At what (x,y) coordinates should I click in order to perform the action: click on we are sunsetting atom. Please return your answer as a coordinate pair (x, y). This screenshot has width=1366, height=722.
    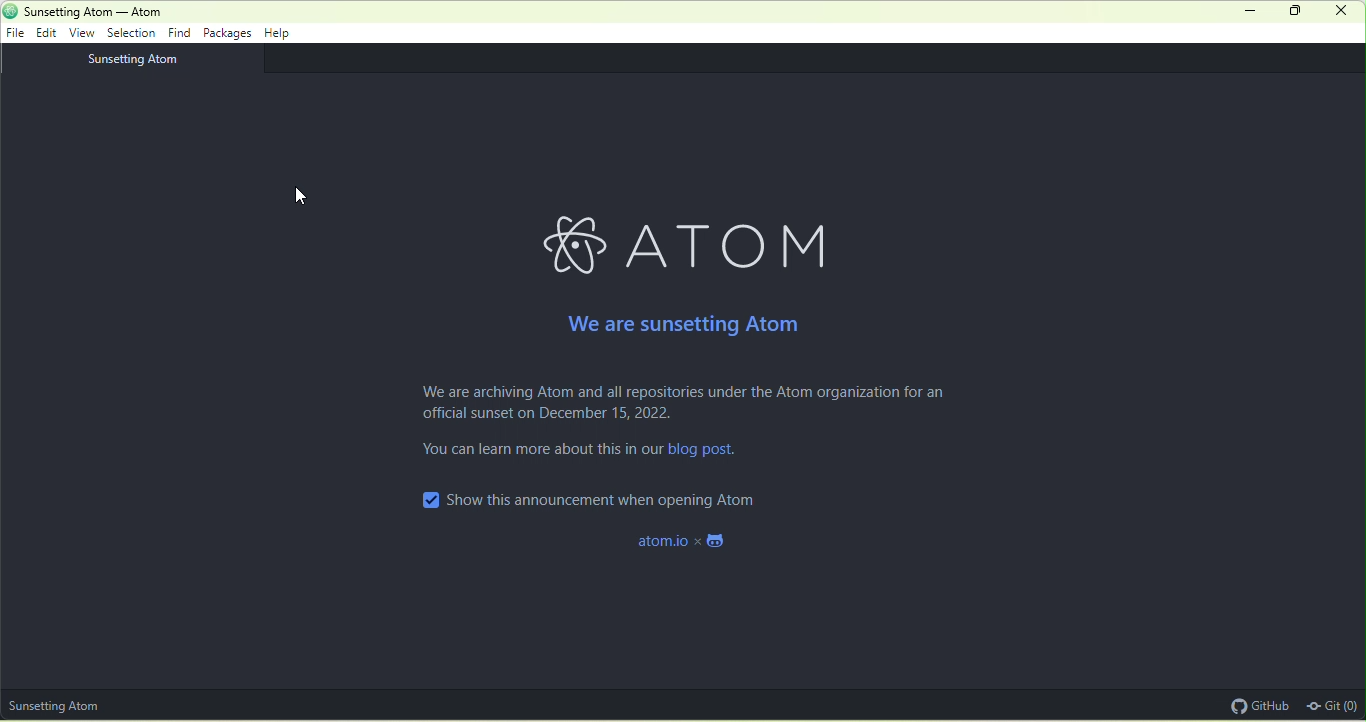
    Looking at the image, I should click on (687, 320).